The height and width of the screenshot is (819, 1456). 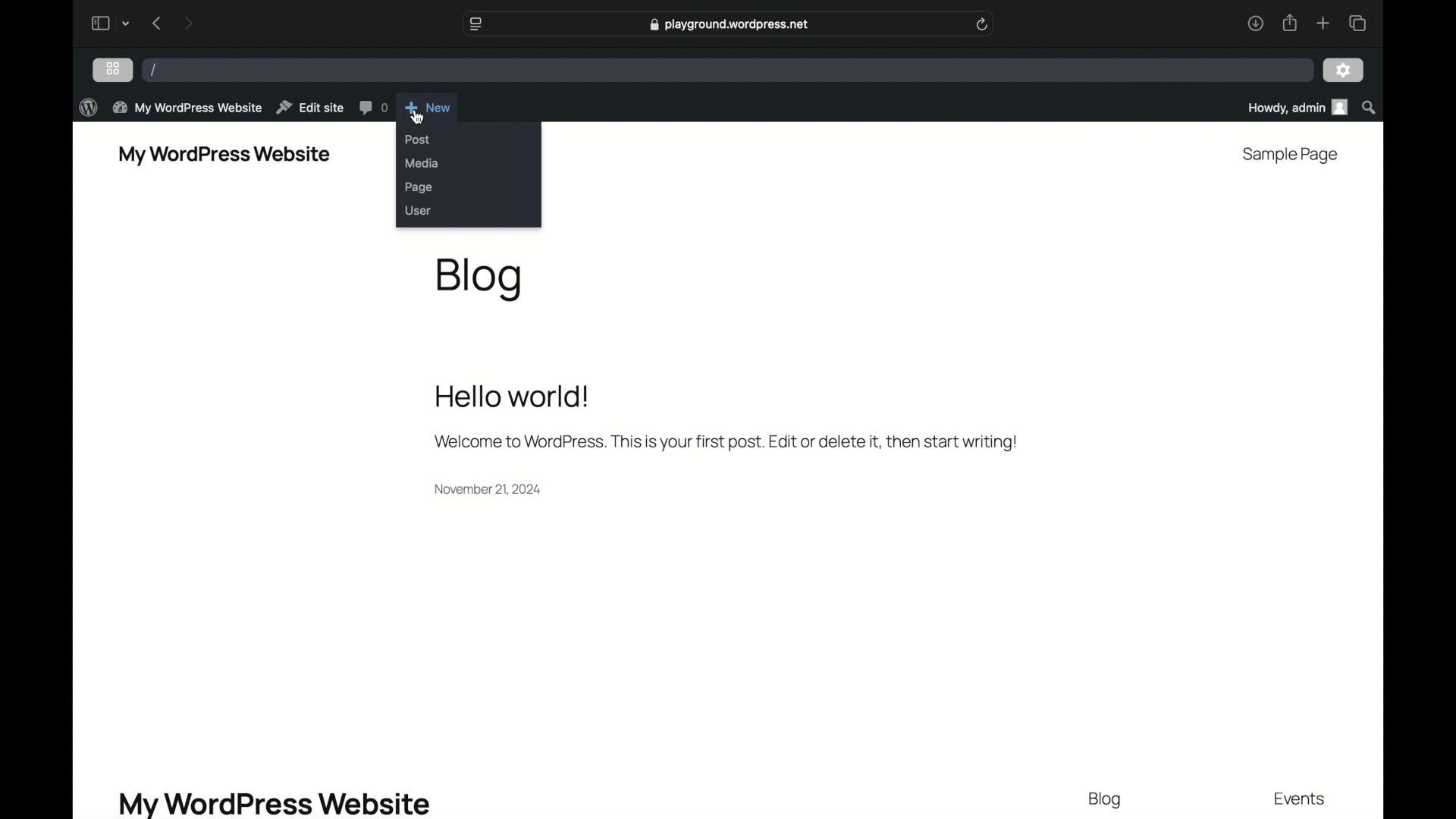 I want to click on media, so click(x=423, y=164).